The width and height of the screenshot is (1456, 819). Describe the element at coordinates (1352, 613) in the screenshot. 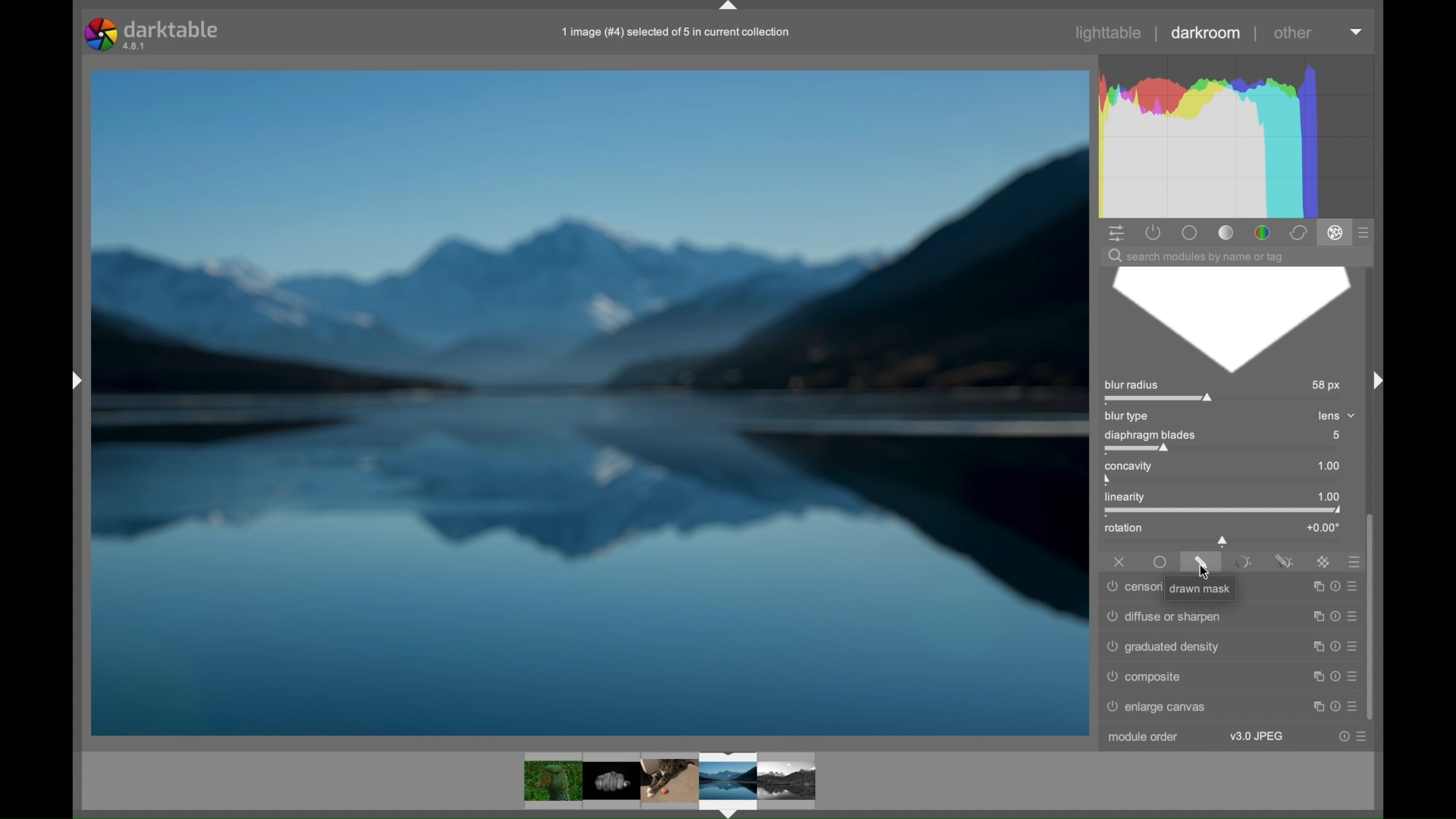

I see `more options` at that location.